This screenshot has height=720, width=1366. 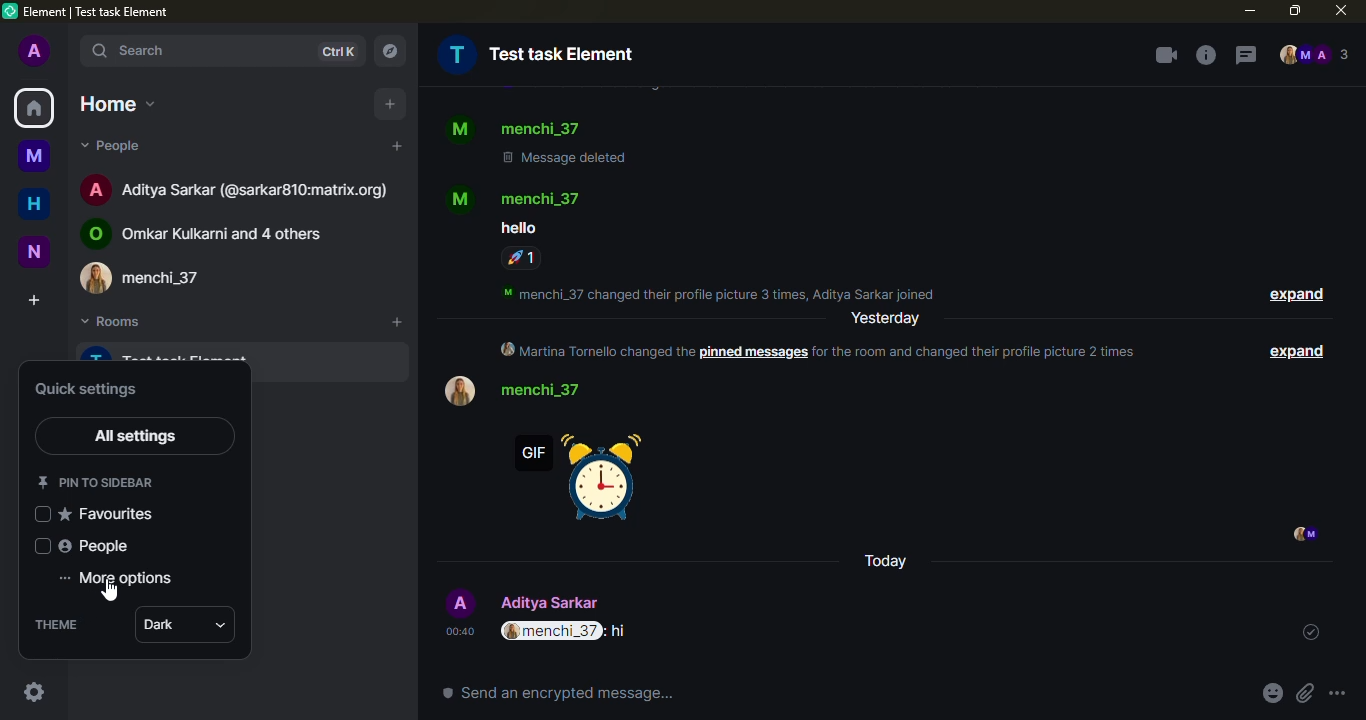 I want to click on info, so click(x=729, y=293).